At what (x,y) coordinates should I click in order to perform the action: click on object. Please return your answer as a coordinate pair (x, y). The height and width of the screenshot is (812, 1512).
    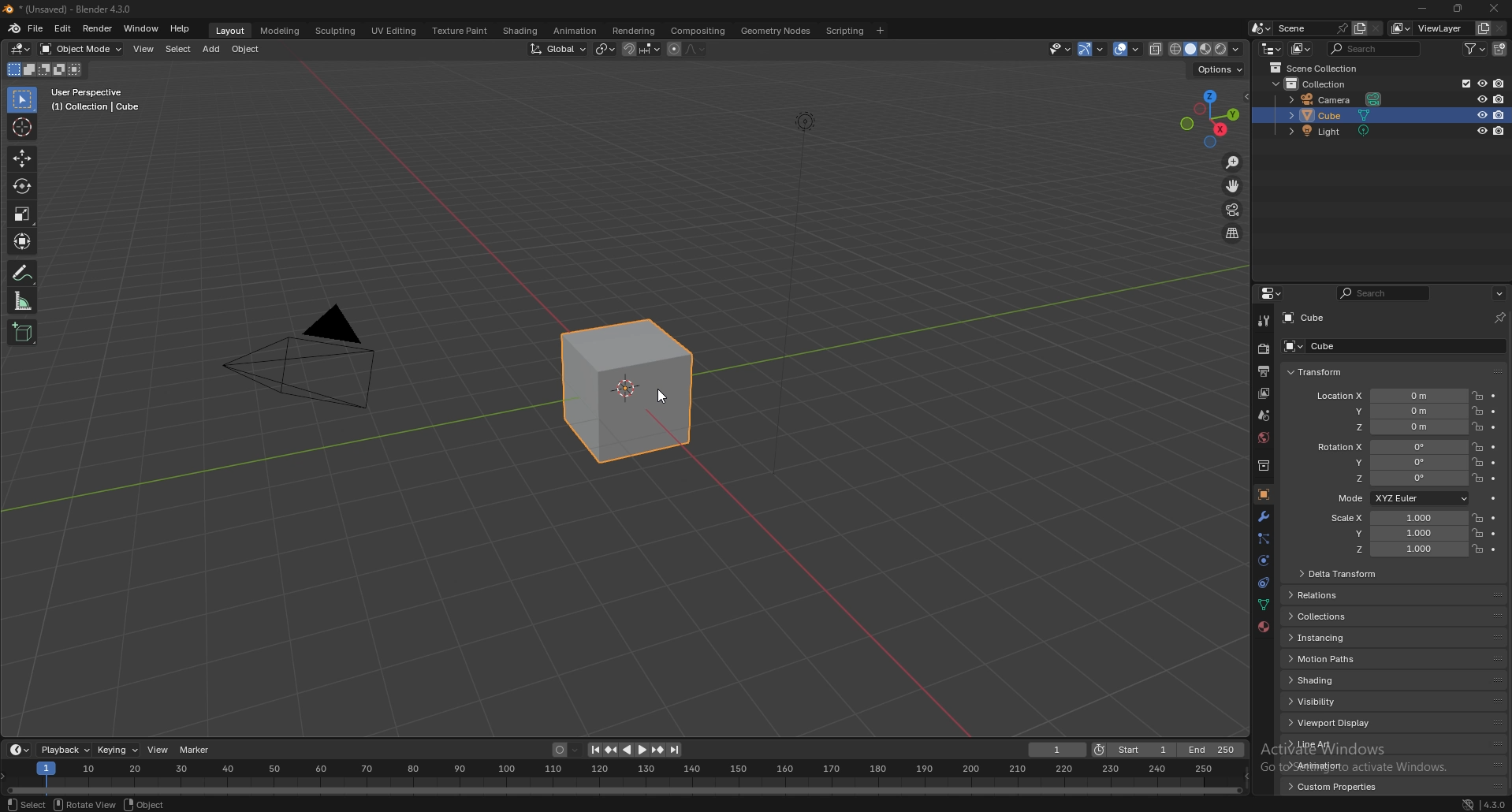
    Looking at the image, I should click on (1264, 494).